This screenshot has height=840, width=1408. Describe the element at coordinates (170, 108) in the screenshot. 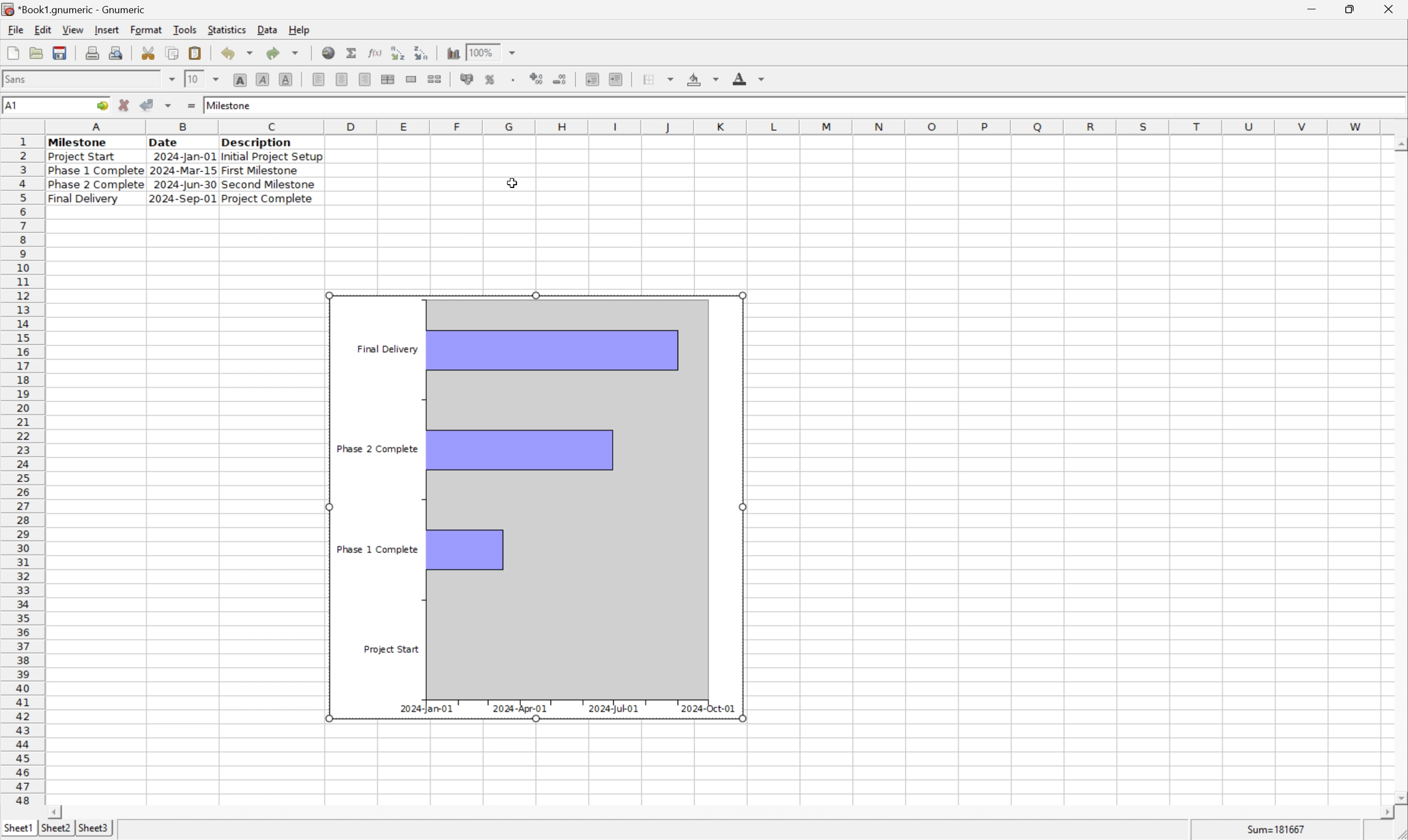

I see `accept changes in multiple cells` at that location.